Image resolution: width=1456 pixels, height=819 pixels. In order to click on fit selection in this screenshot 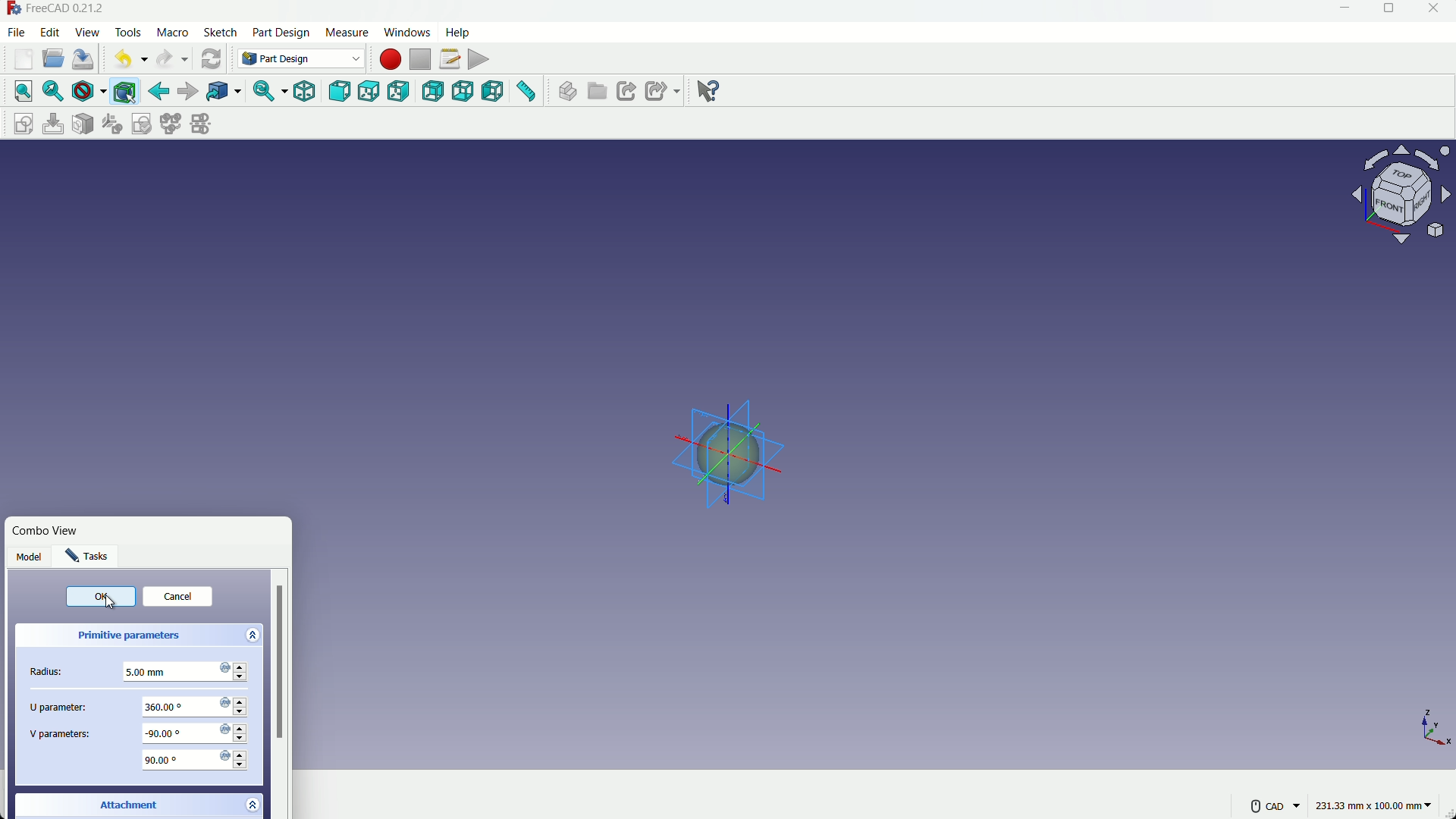, I will do `click(55, 93)`.